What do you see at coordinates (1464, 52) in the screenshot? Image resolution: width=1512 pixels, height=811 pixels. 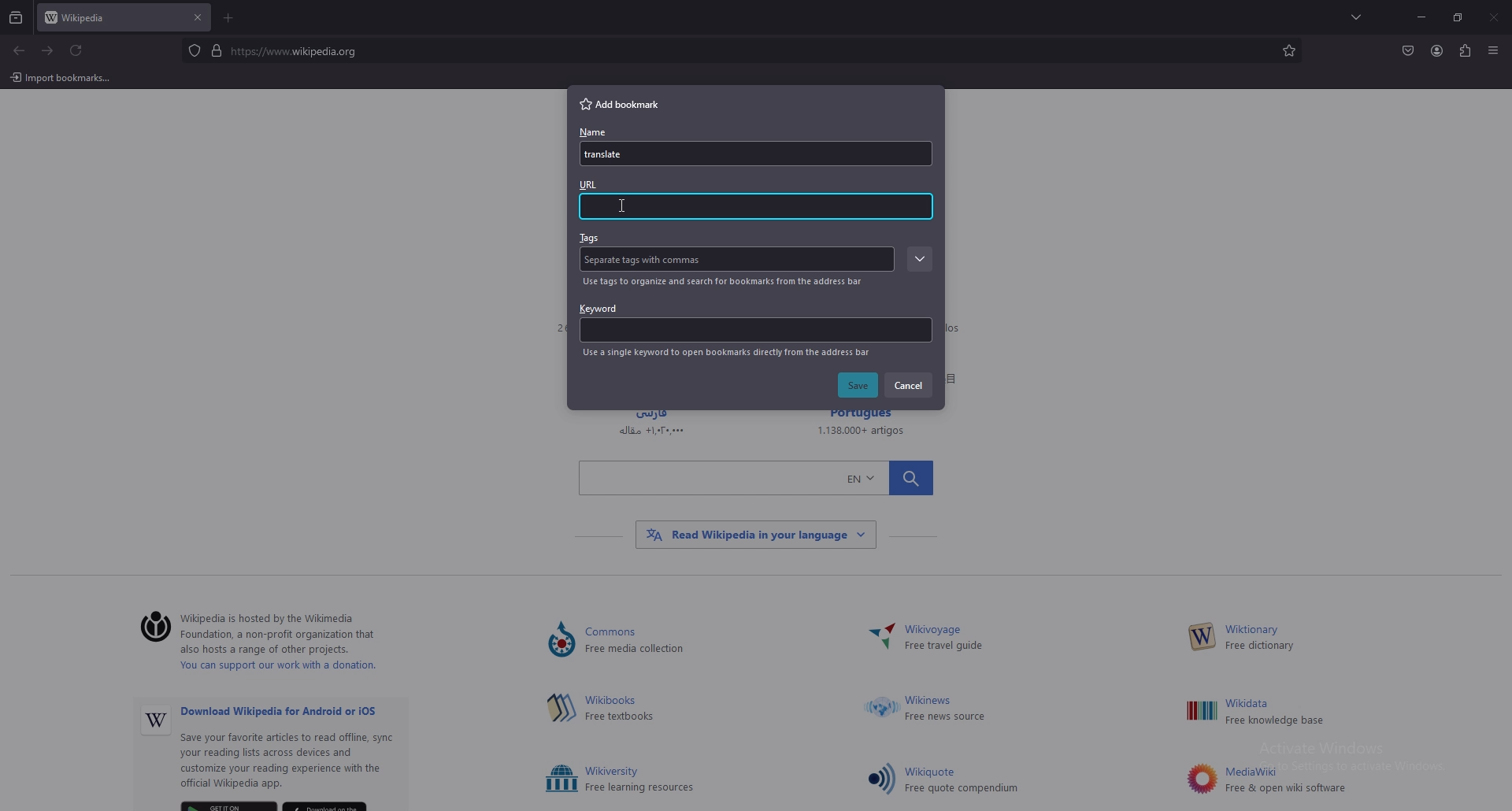 I see `extensions` at bounding box center [1464, 52].